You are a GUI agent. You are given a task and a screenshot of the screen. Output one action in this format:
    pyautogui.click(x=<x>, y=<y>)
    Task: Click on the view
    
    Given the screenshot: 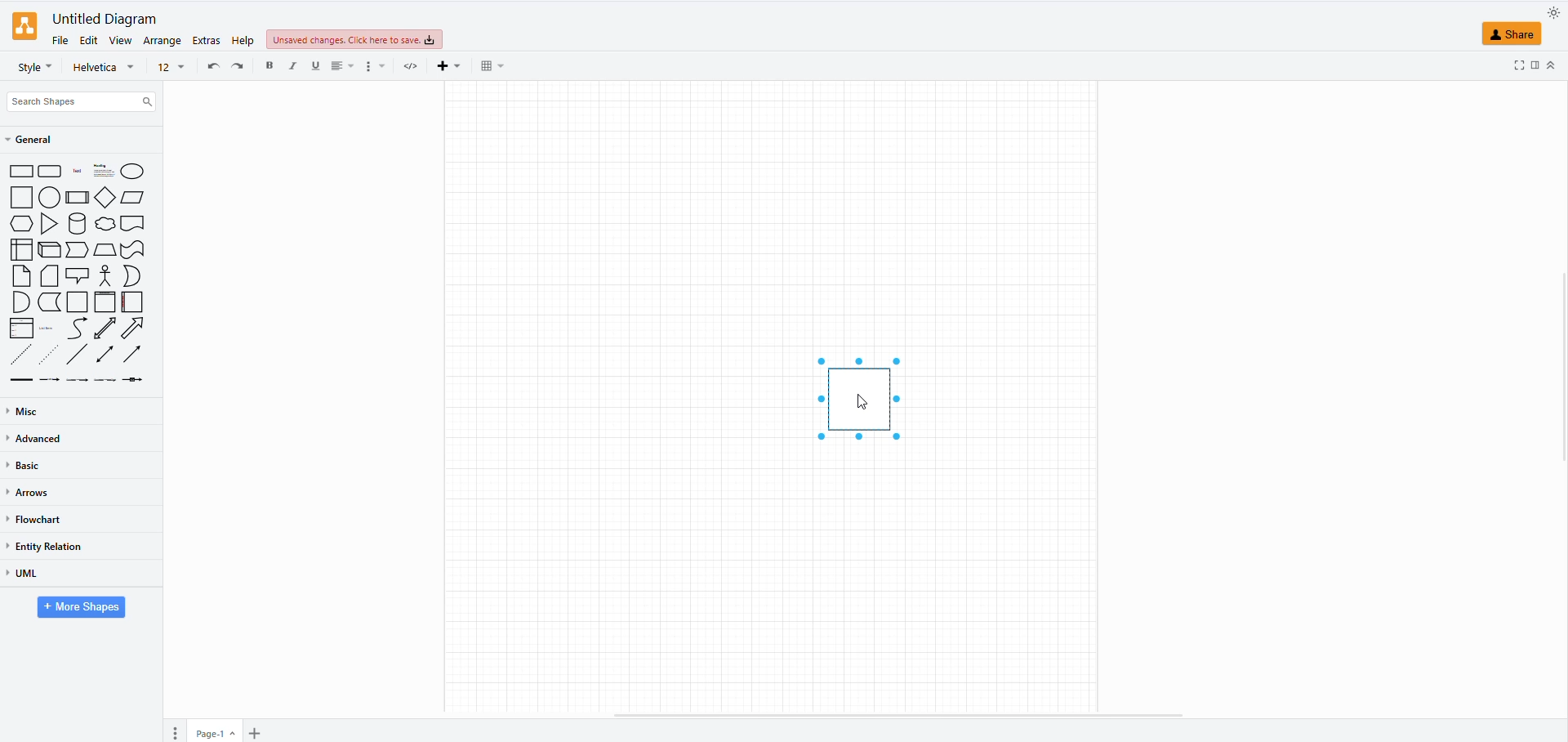 What is the action you would take?
    pyautogui.click(x=120, y=41)
    